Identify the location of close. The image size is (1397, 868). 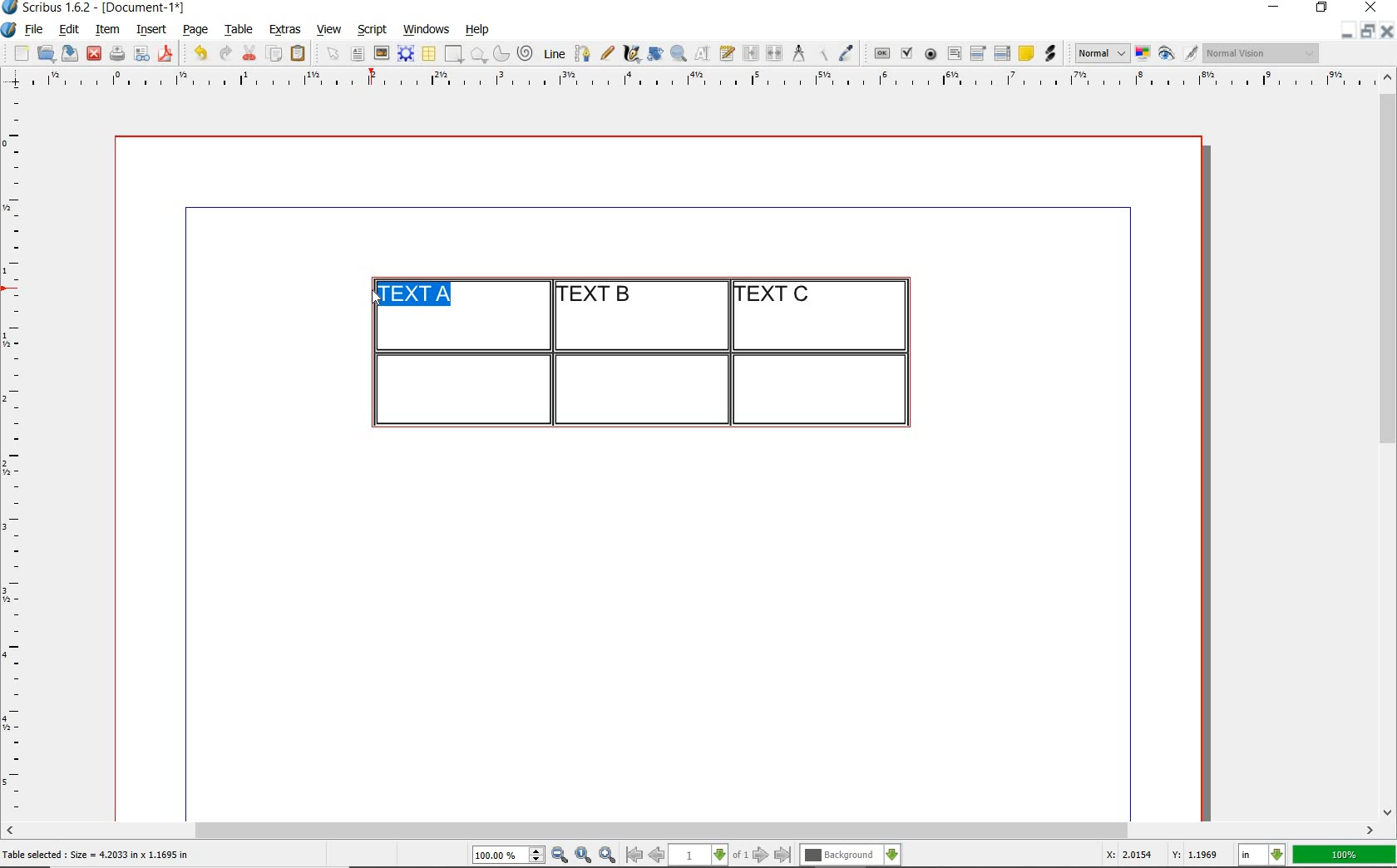
(1387, 31).